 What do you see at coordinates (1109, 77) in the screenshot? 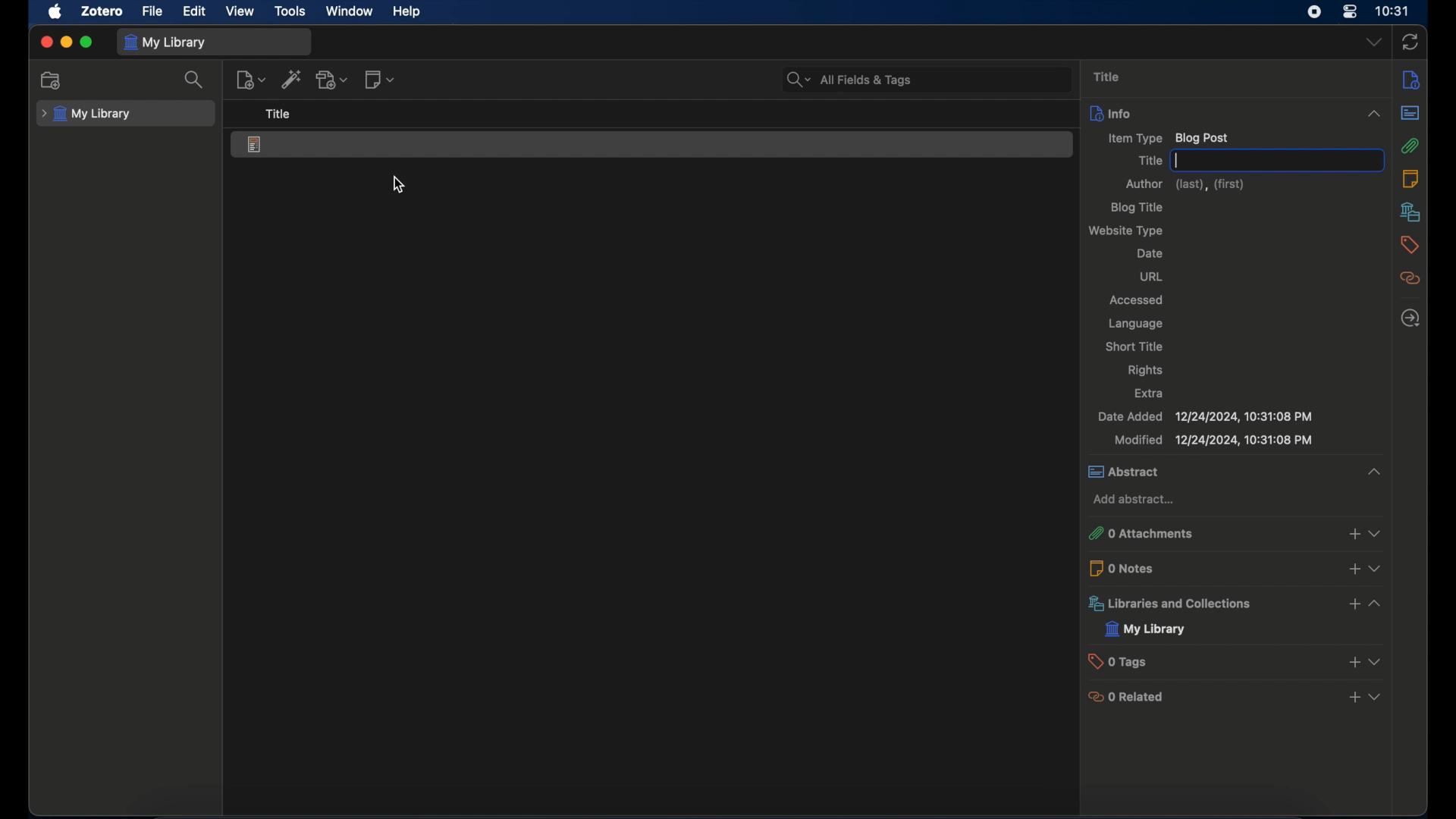
I see `title` at bounding box center [1109, 77].